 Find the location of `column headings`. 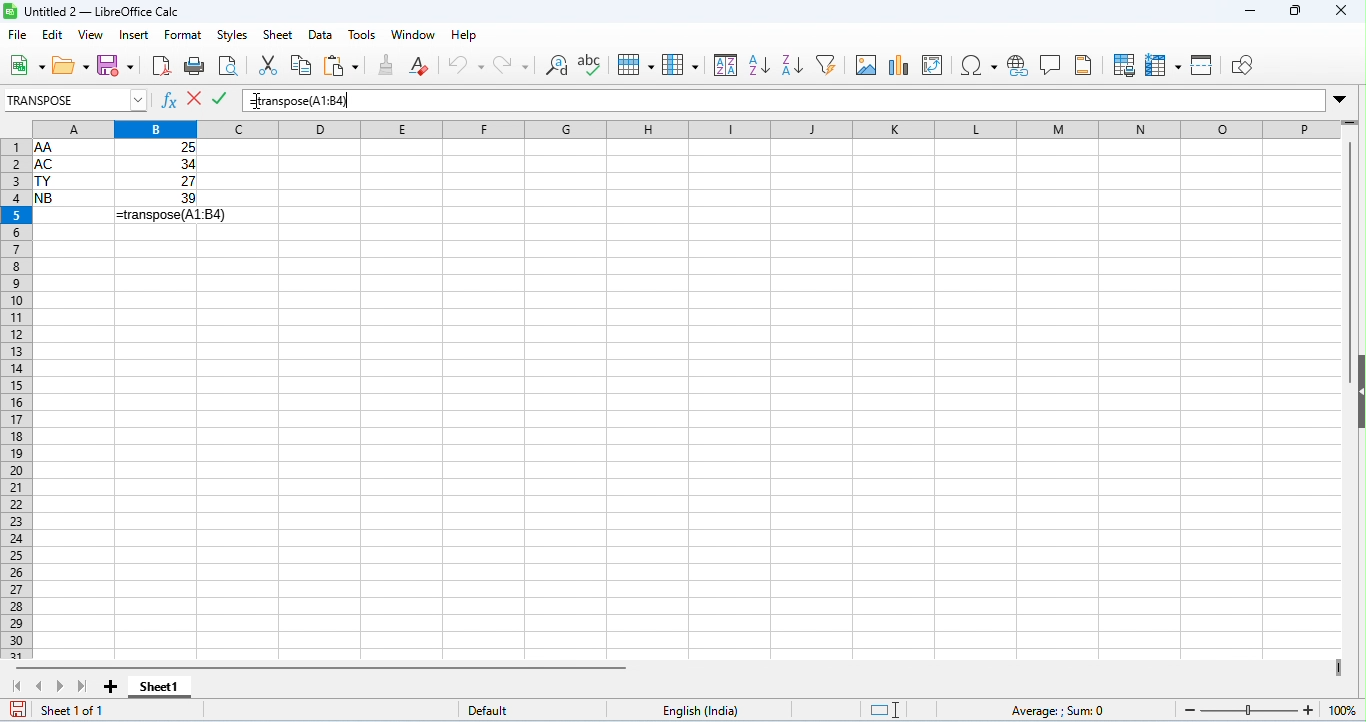

column headings is located at coordinates (677, 127).